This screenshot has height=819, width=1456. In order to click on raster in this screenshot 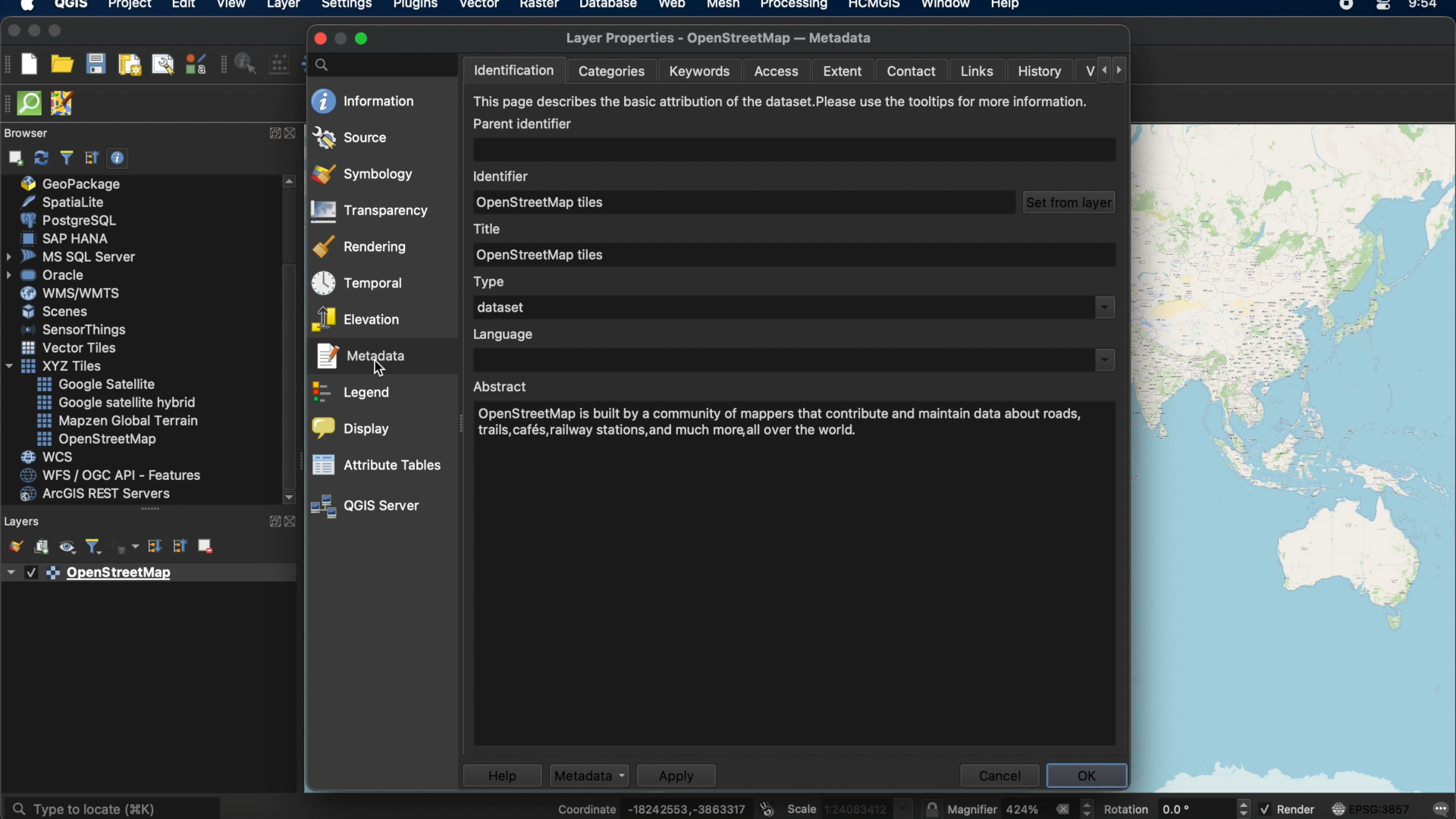, I will do `click(538, 6)`.